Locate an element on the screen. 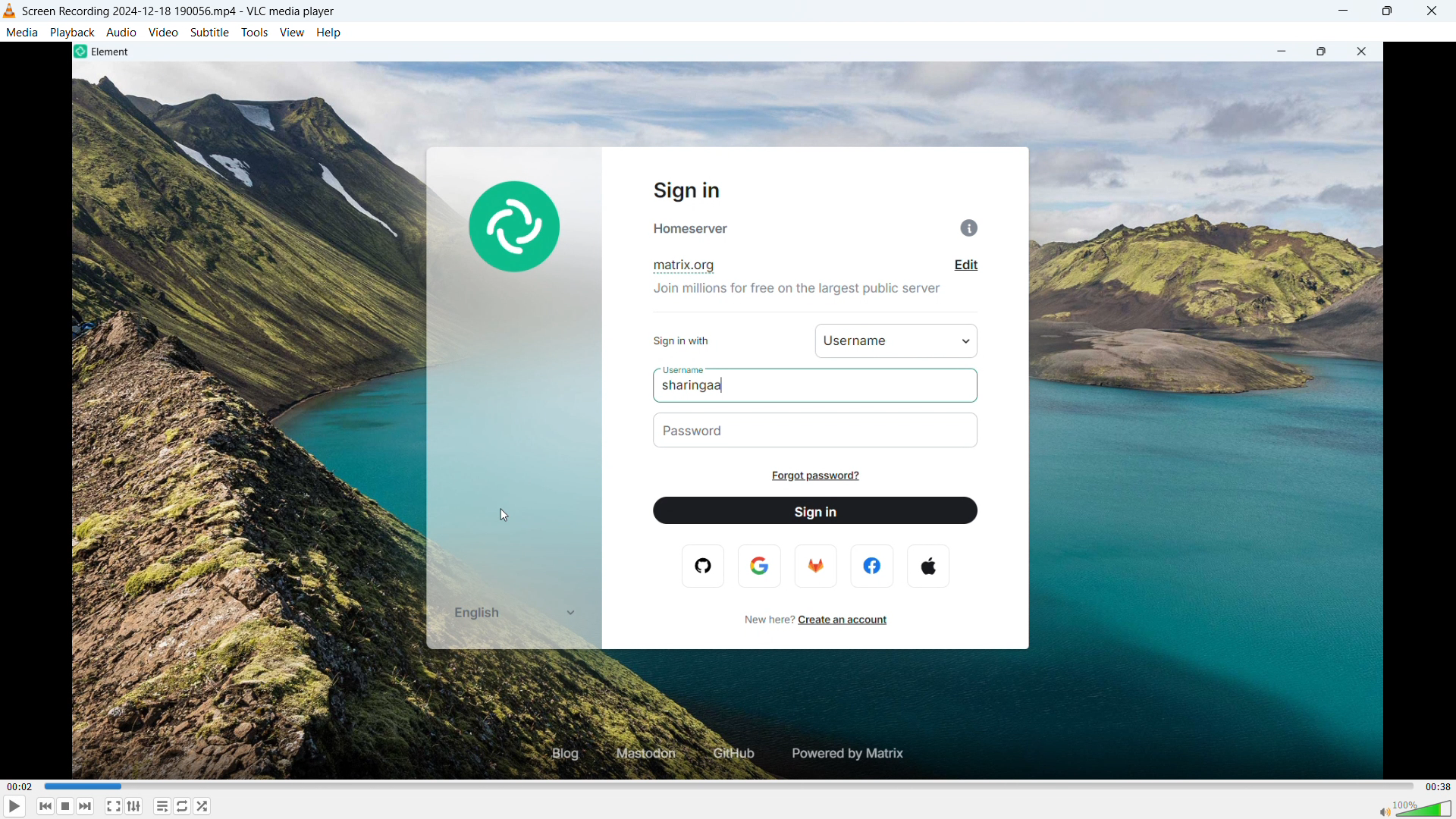 This screenshot has width=1456, height=819. time bar is located at coordinates (730, 786).